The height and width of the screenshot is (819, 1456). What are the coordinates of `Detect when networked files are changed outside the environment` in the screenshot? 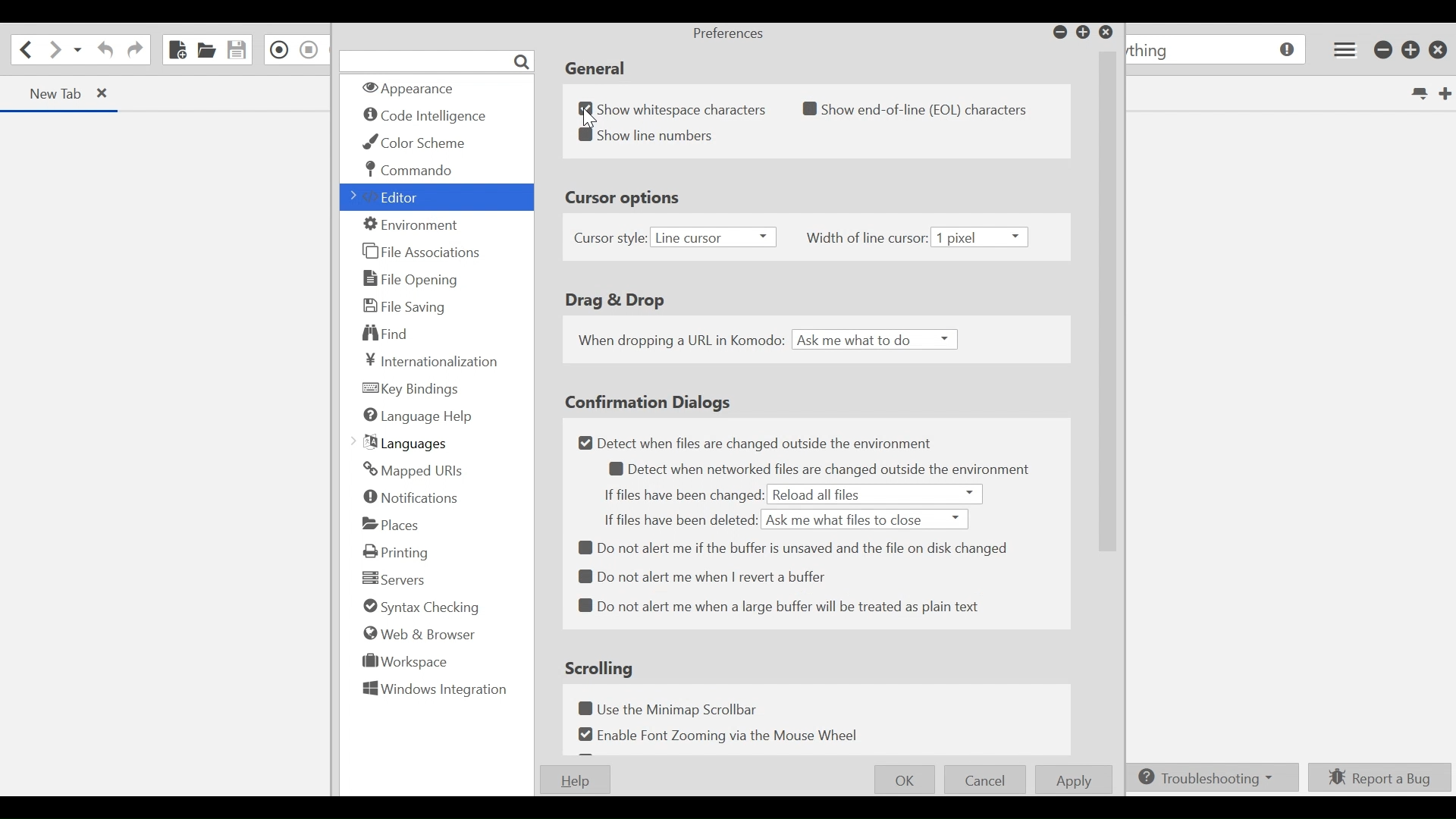 It's located at (824, 469).